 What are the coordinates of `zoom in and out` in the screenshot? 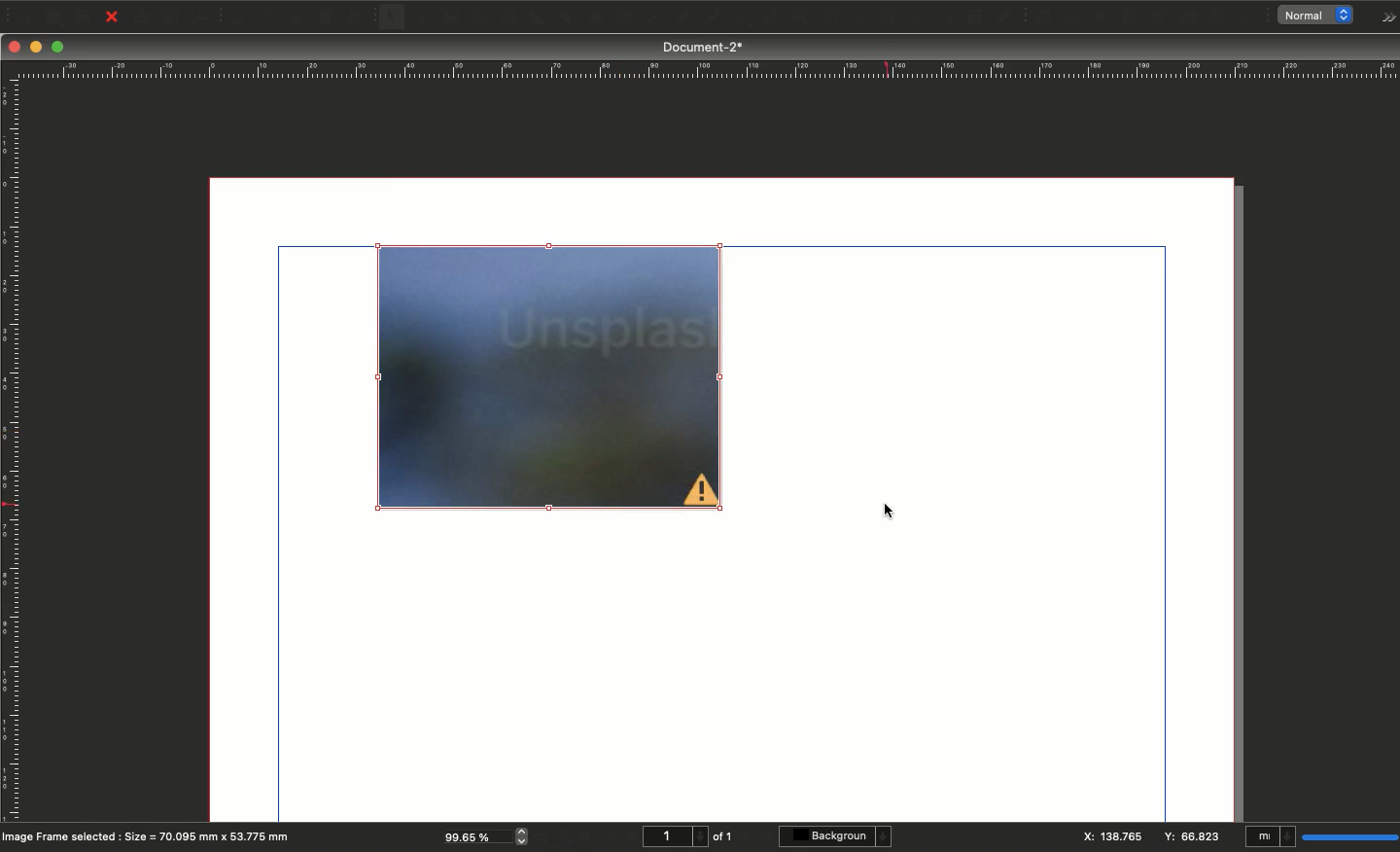 It's located at (525, 835).